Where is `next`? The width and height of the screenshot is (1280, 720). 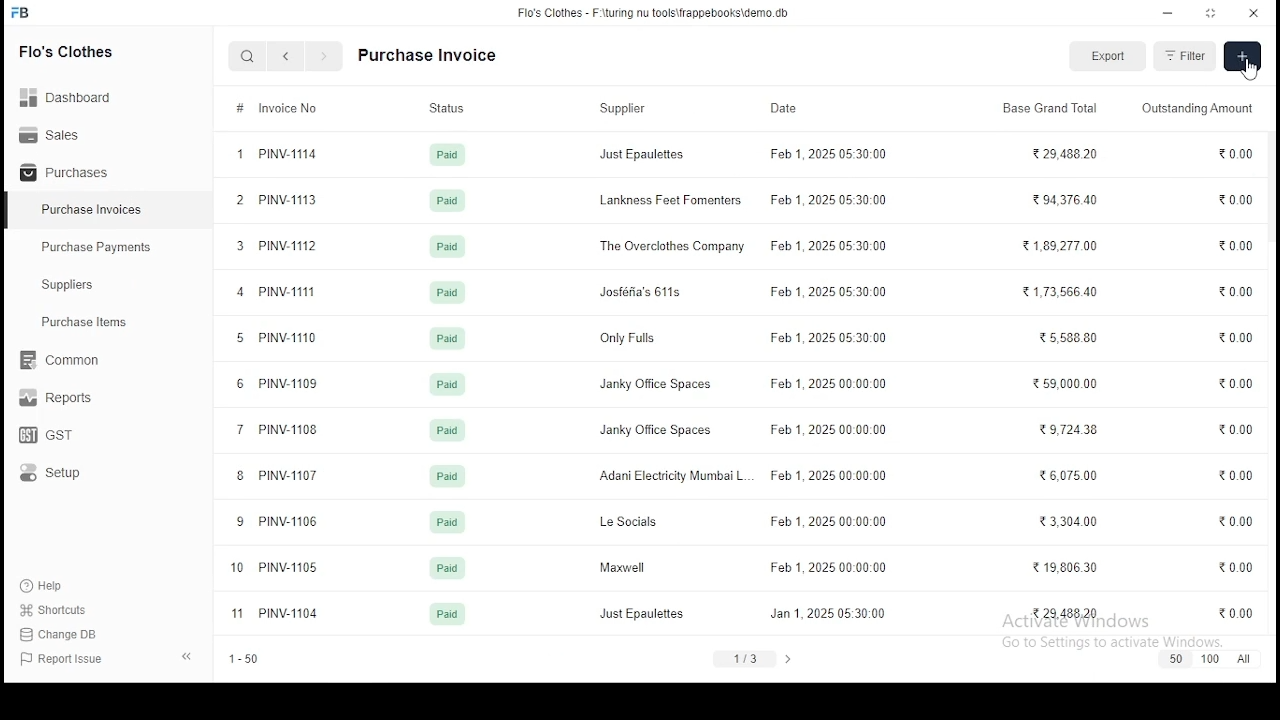 next is located at coordinates (324, 58).